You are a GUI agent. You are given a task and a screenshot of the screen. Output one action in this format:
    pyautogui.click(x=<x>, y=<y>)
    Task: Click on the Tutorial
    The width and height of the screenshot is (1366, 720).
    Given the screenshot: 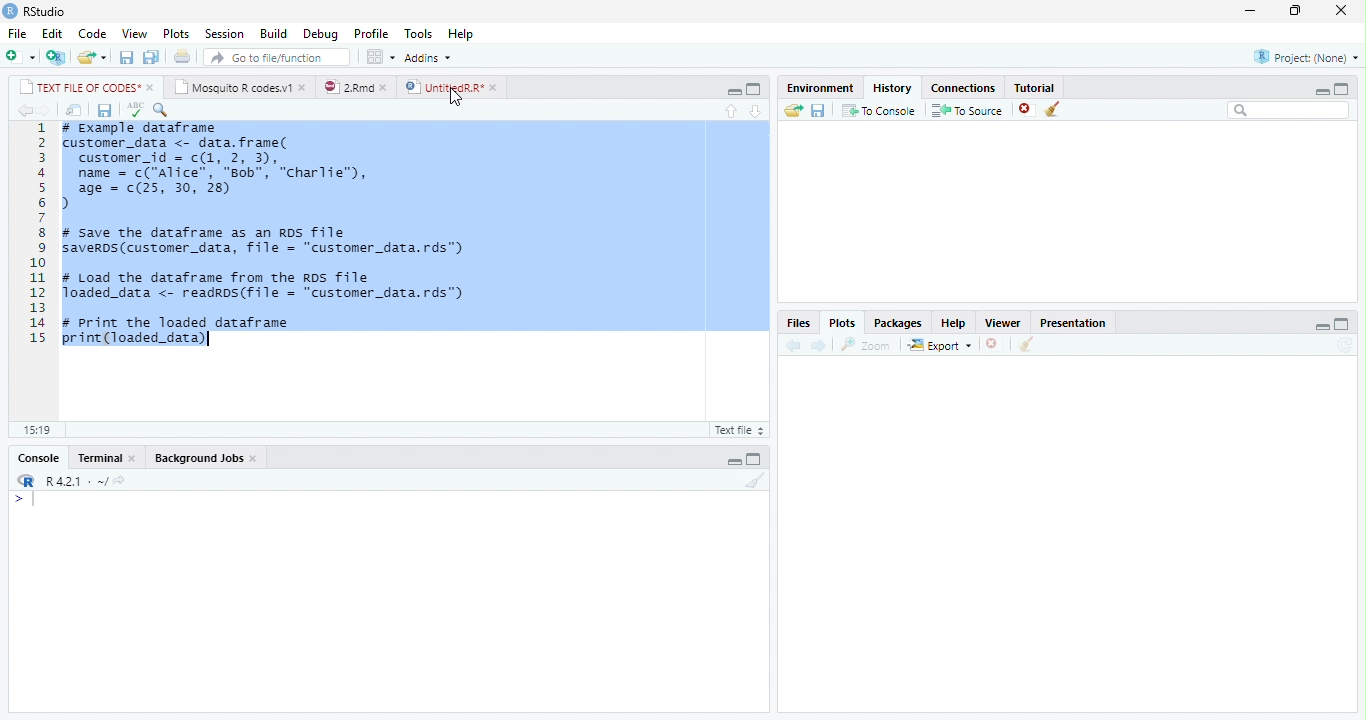 What is the action you would take?
    pyautogui.click(x=1036, y=87)
    